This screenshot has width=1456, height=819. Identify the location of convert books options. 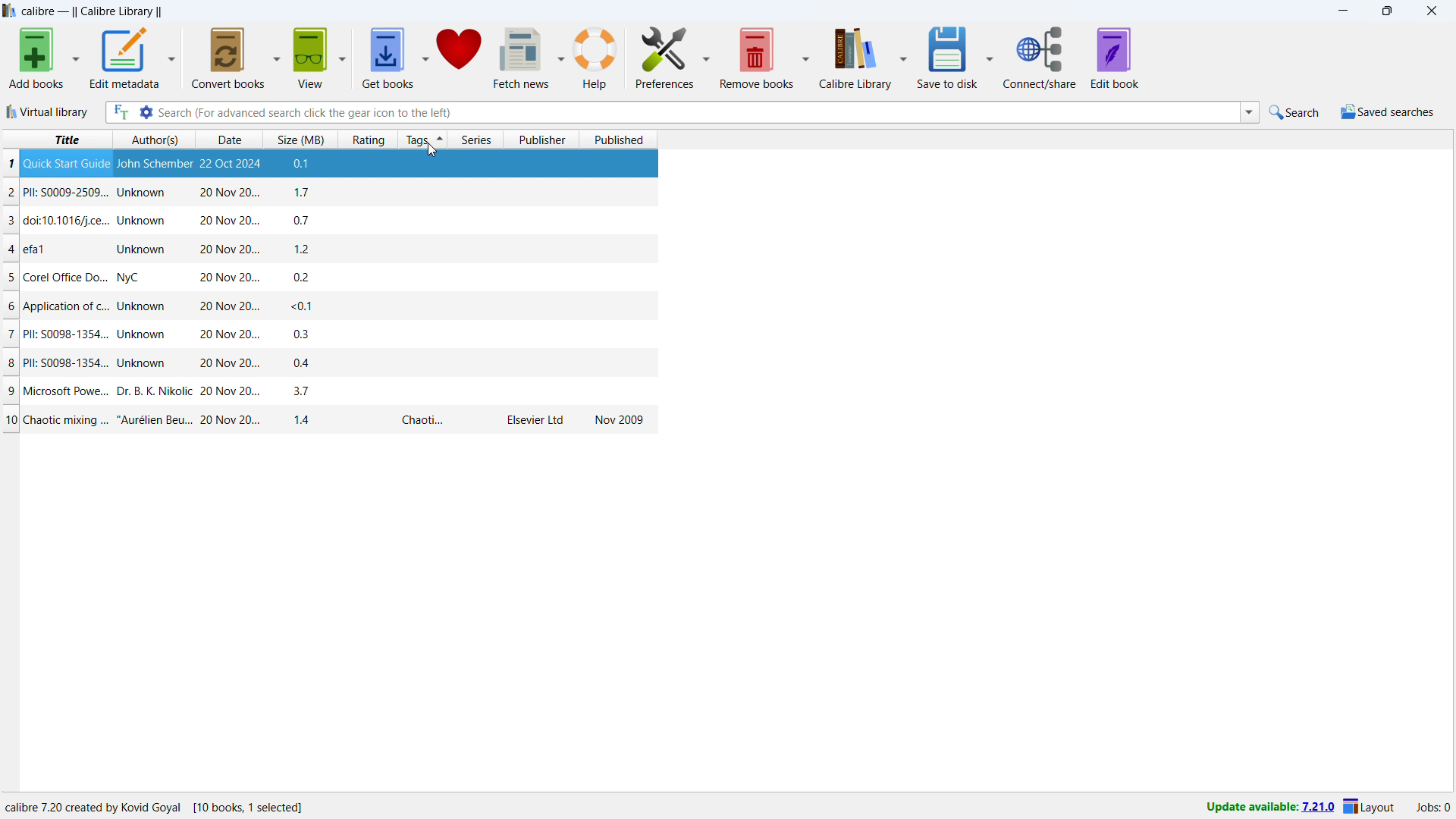
(278, 56).